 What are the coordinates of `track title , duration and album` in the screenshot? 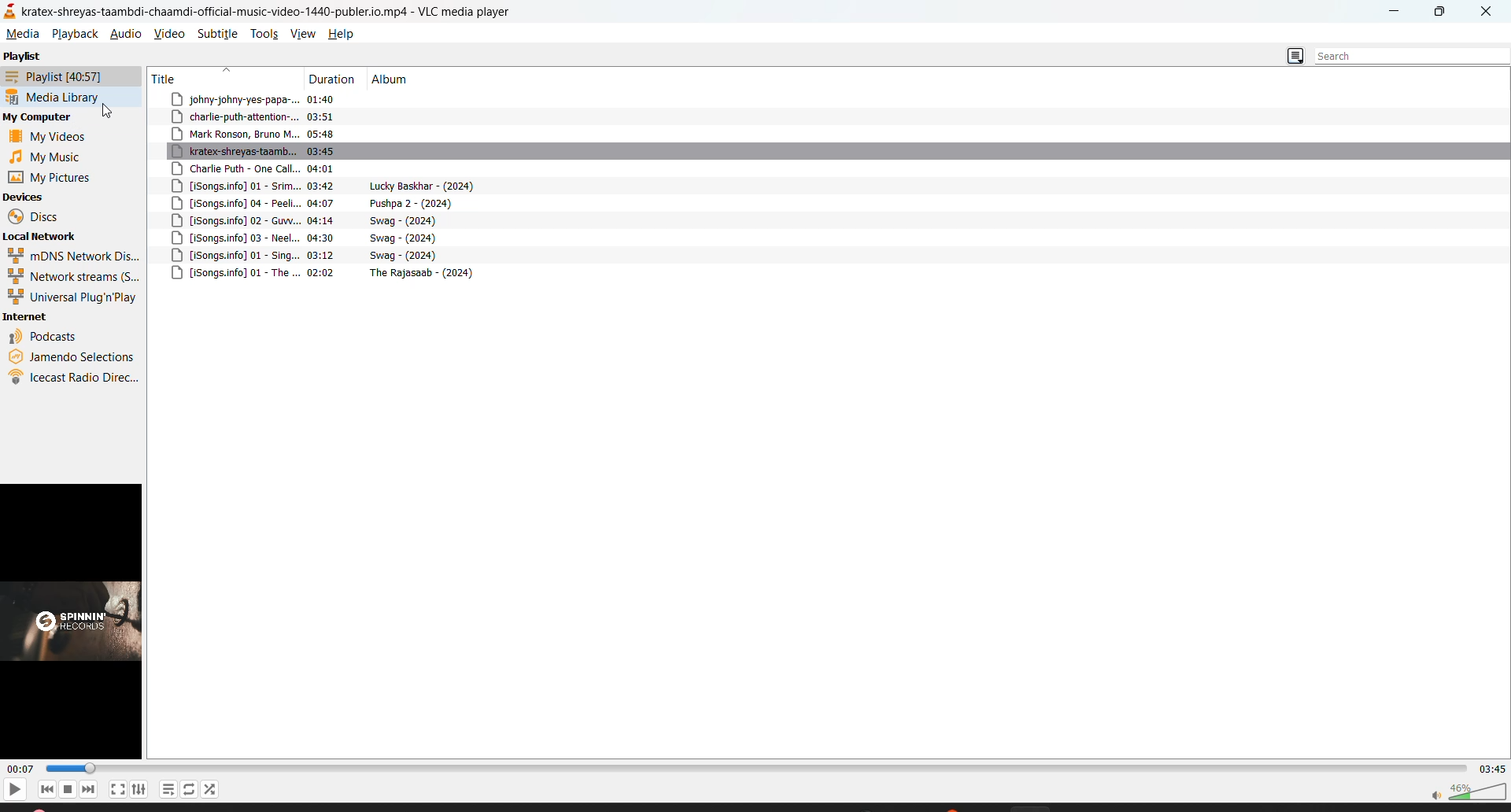 It's located at (329, 169).